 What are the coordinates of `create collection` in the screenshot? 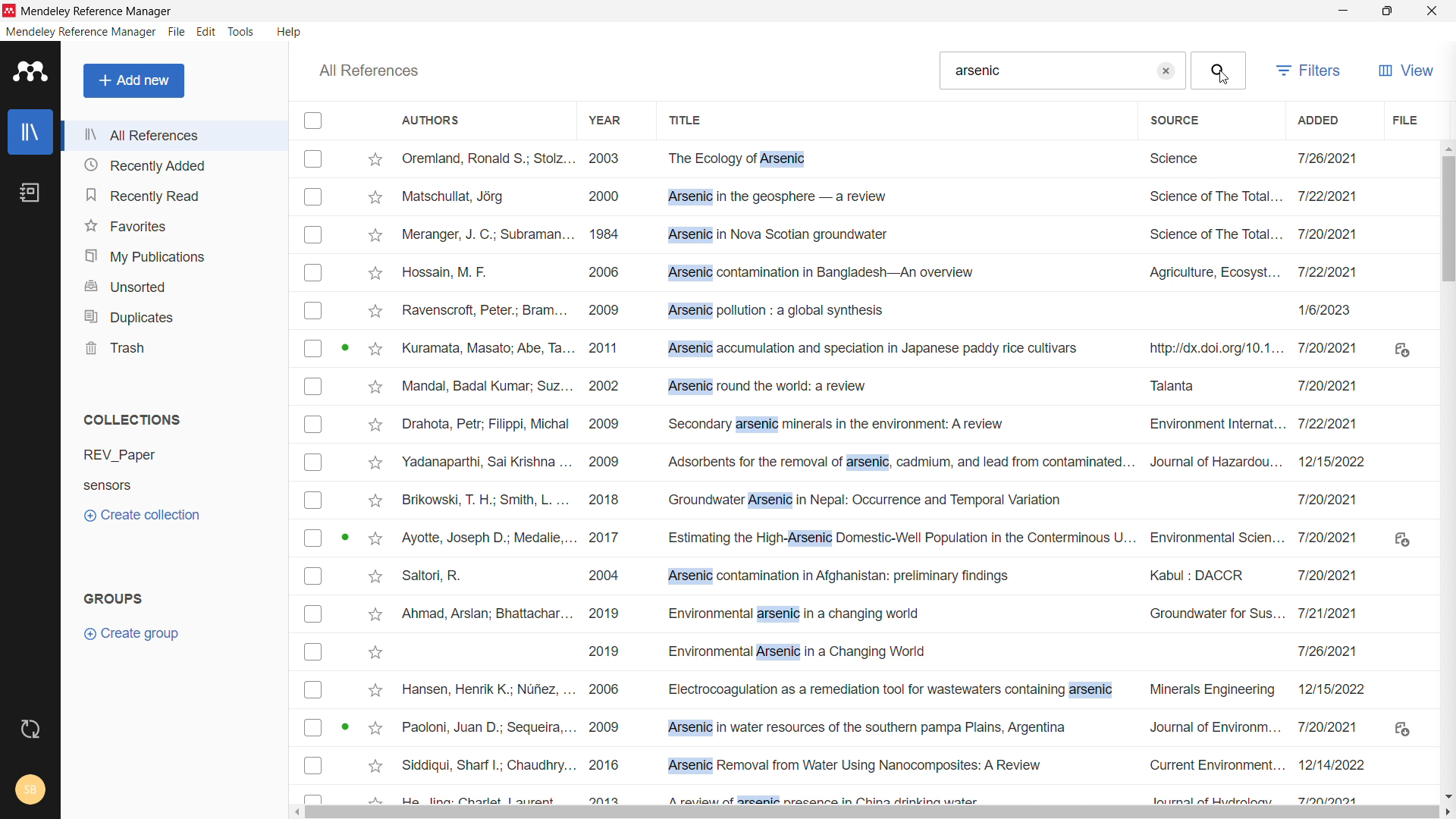 It's located at (176, 516).